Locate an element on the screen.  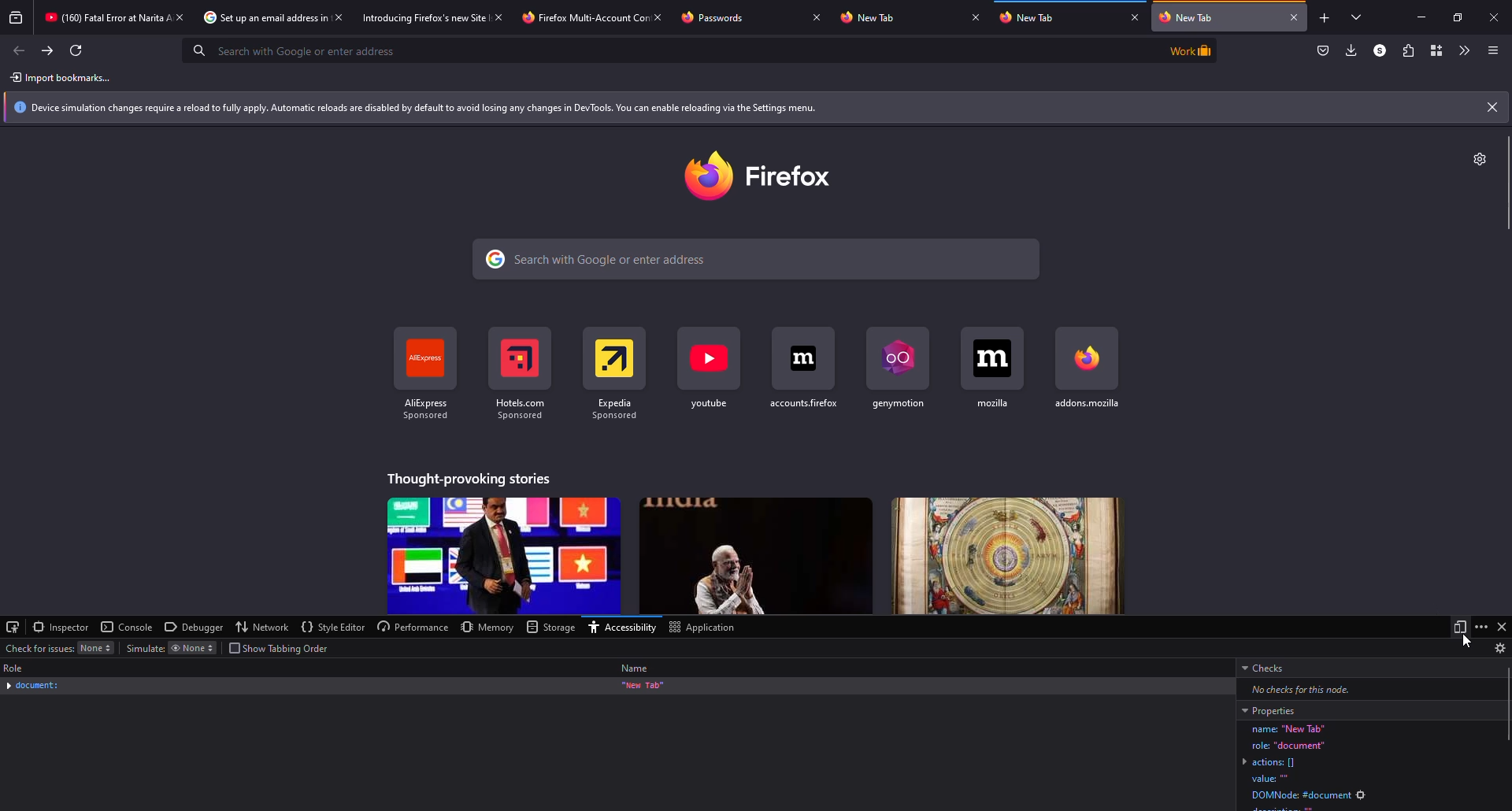
forward is located at coordinates (48, 50).